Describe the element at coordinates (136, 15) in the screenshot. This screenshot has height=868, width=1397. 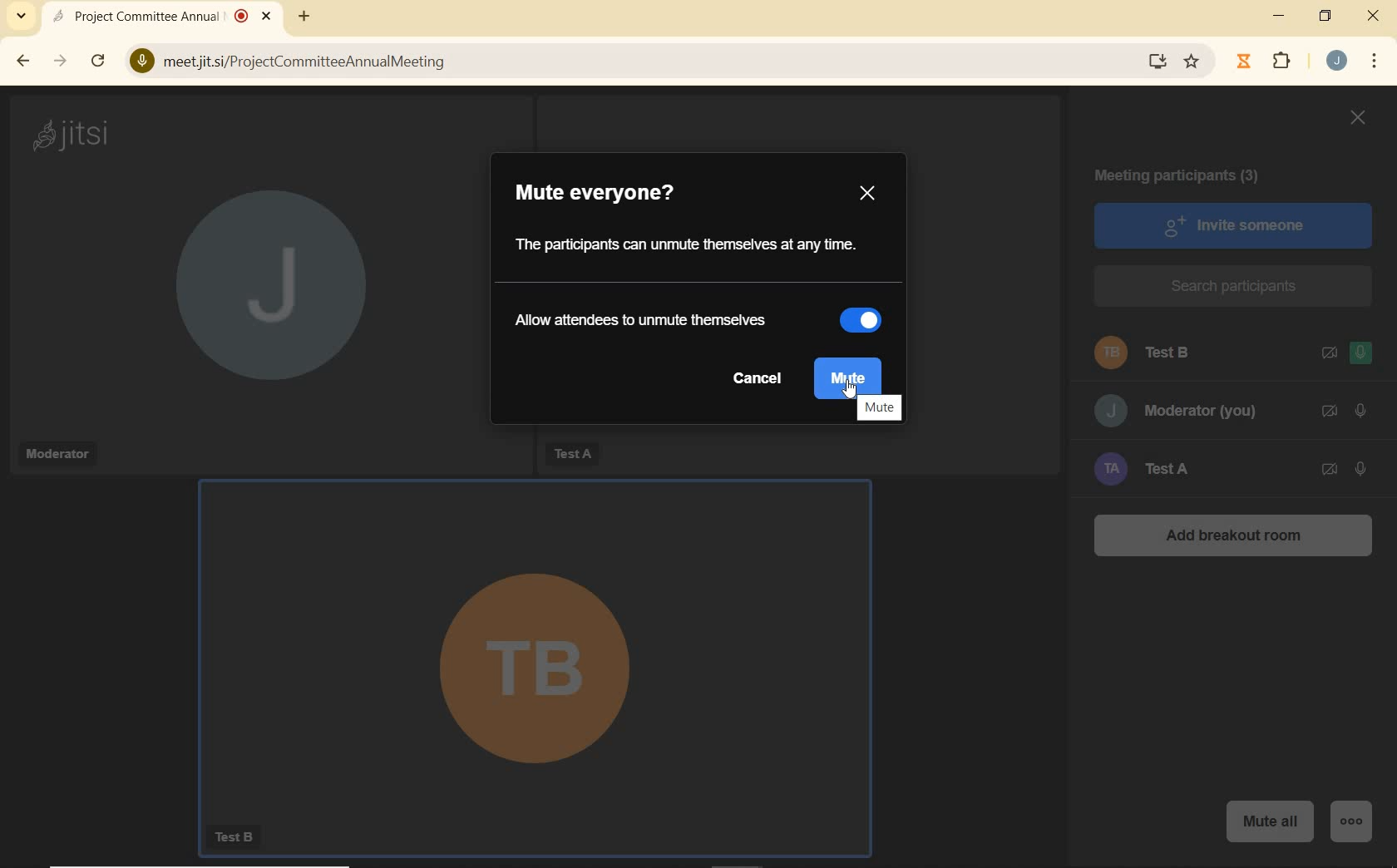
I see `Project Committee Annual` at that location.